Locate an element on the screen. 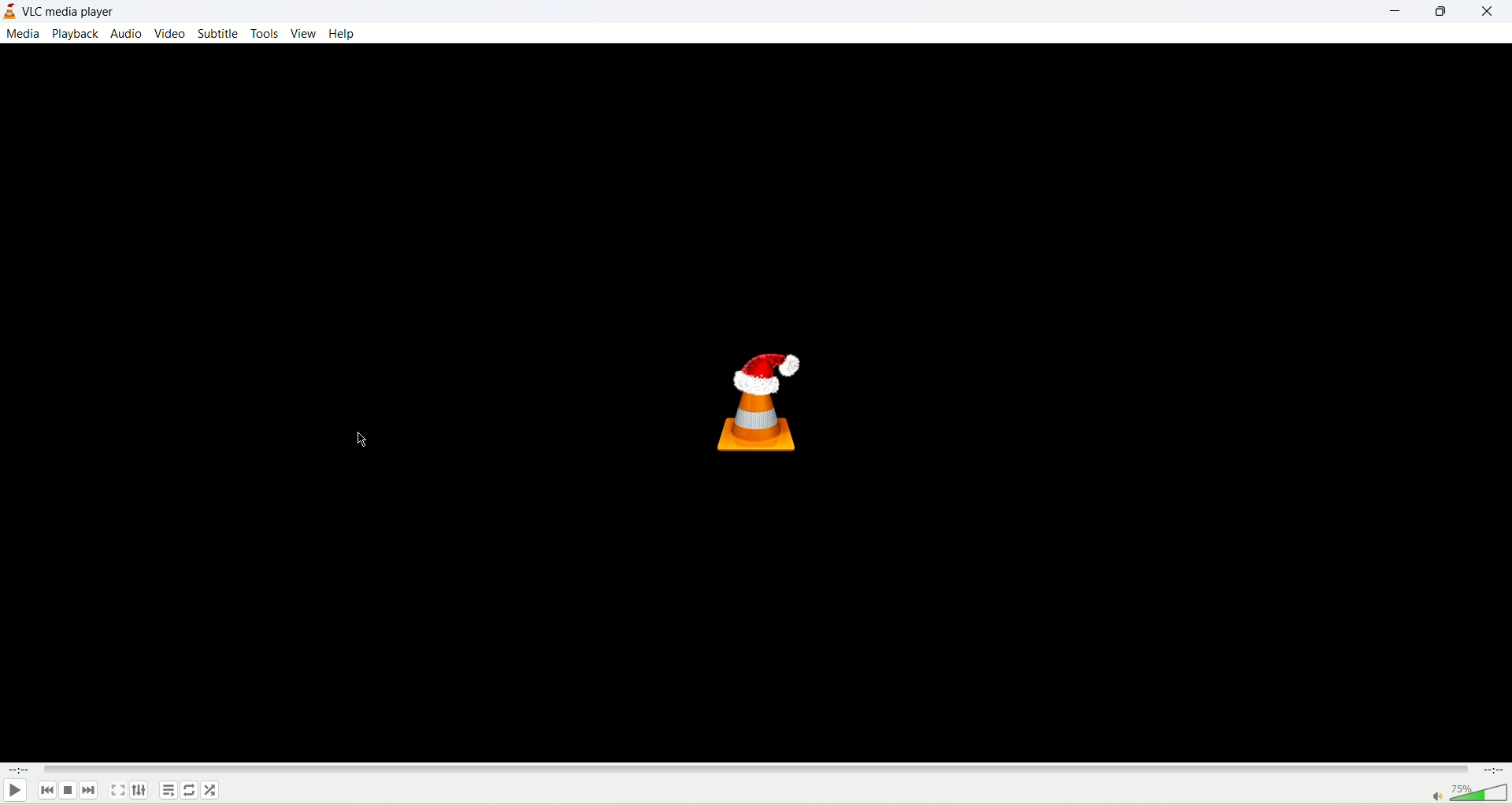 Image resolution: width=1512 pixels, height=805 pixels. time left is located at coordinates (1495, 770).